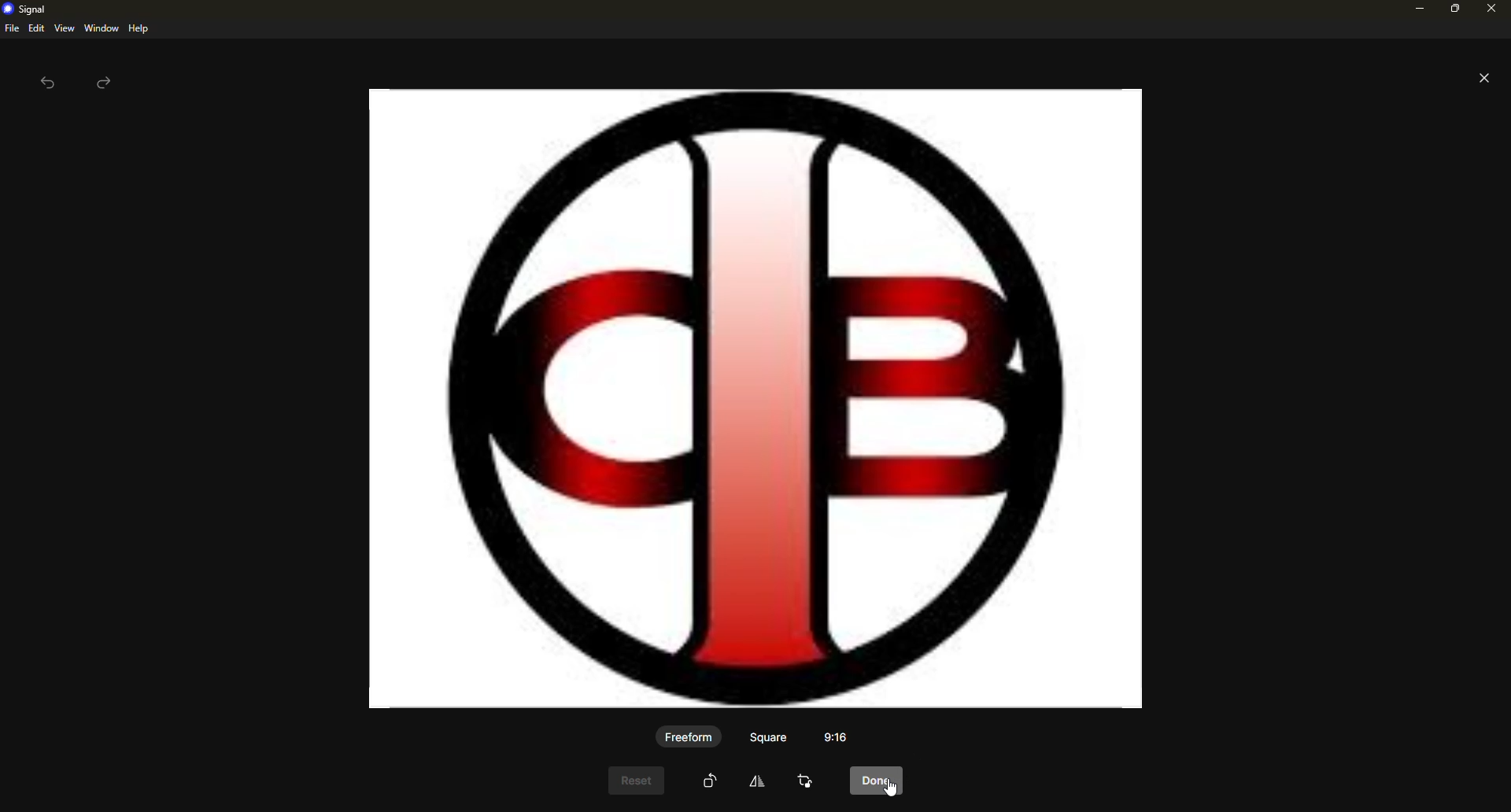 This screenshot has height=812, width=1511. I want to click on Cursor on done, so click(879, 781).